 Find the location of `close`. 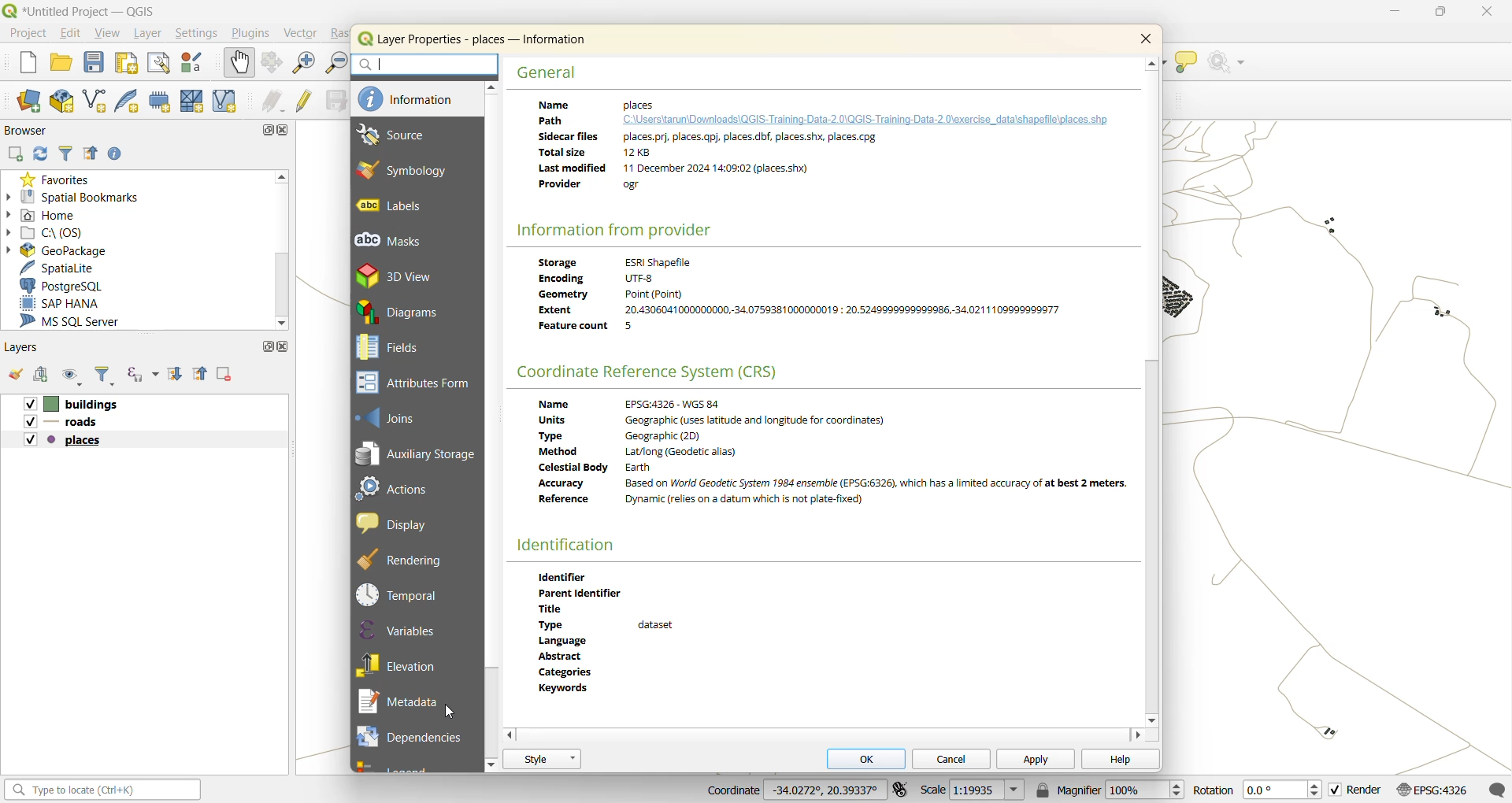

close is located at coordinates (289, 348).